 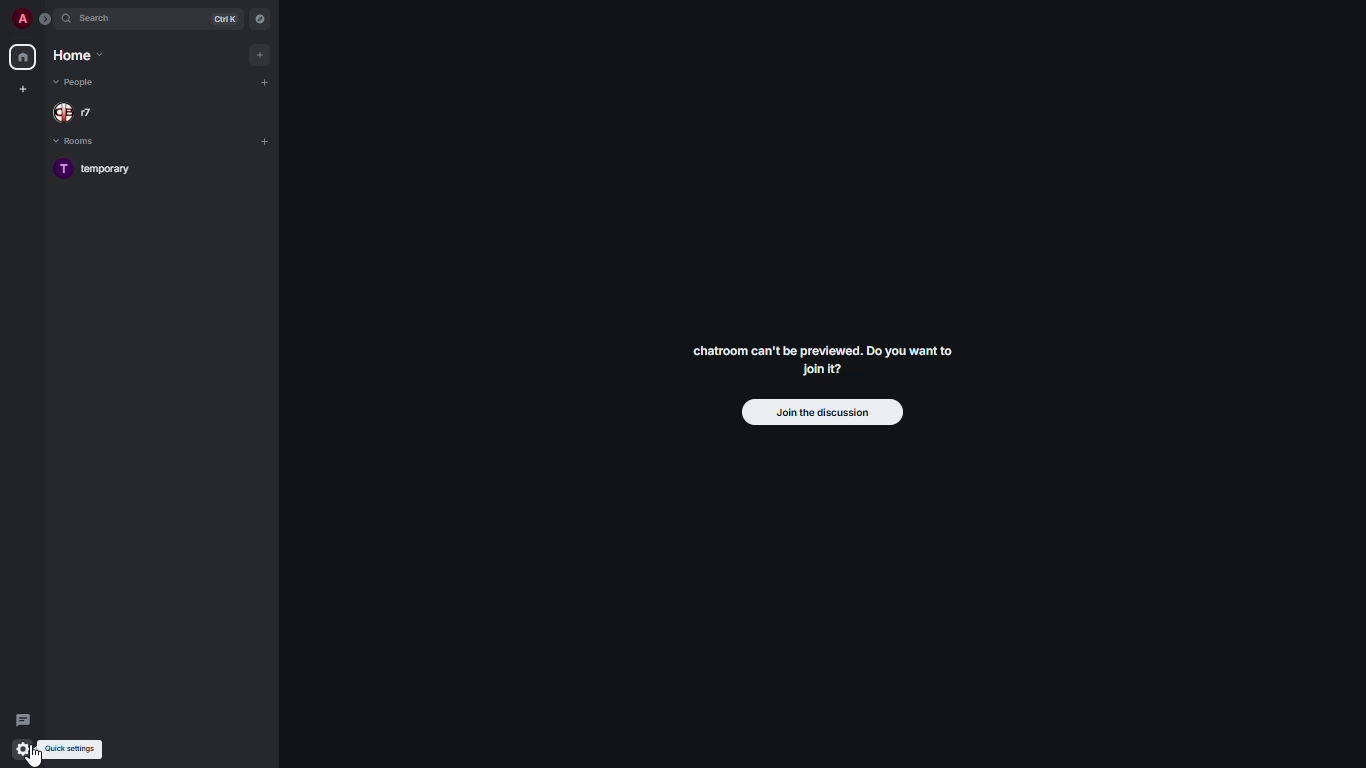 What do you see at coordinates (74, 750) in the screenshot?
I see `quick settings` at bounding box center [74, 750].